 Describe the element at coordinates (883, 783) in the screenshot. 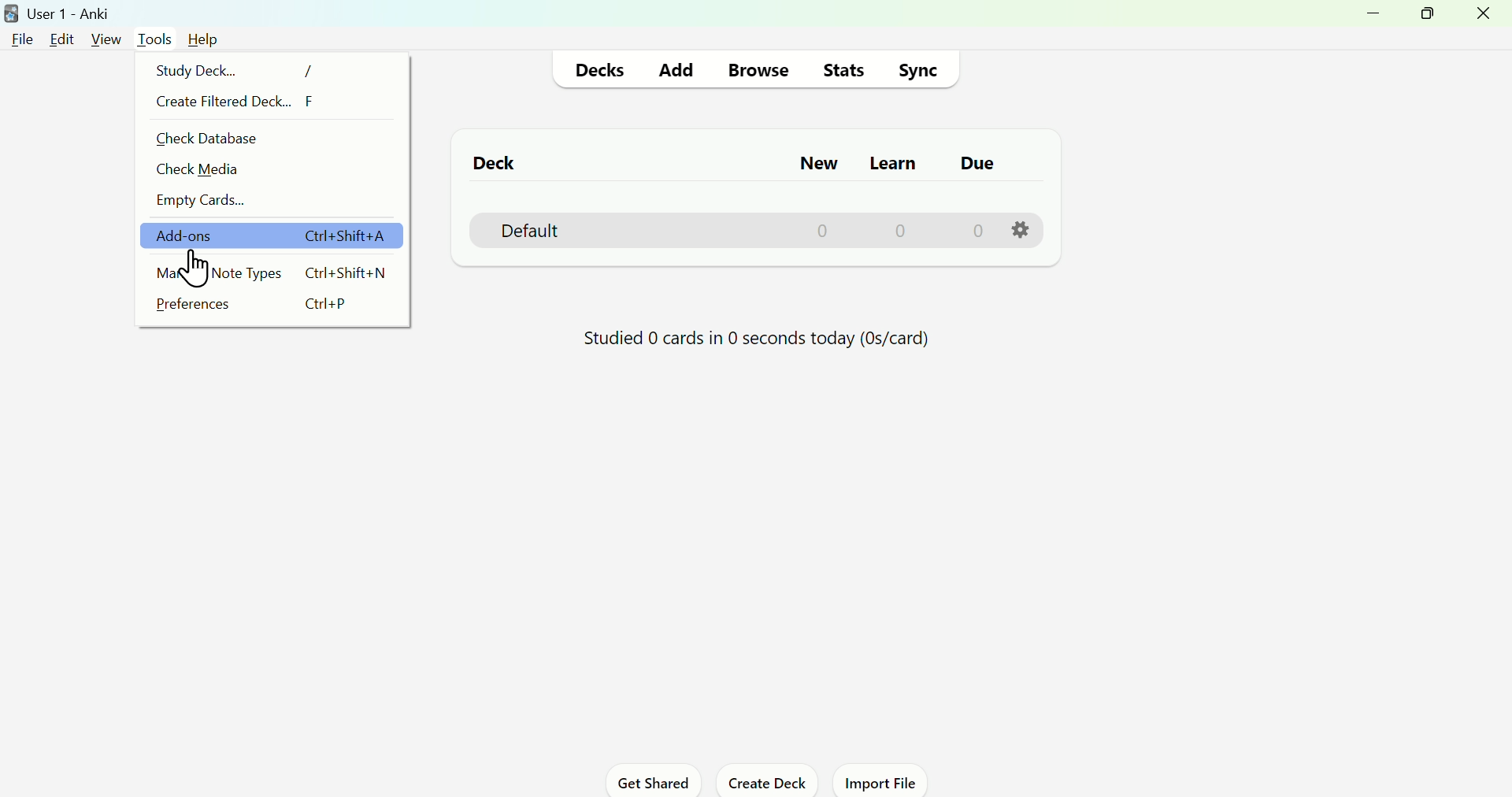

I see `Import` at that location.